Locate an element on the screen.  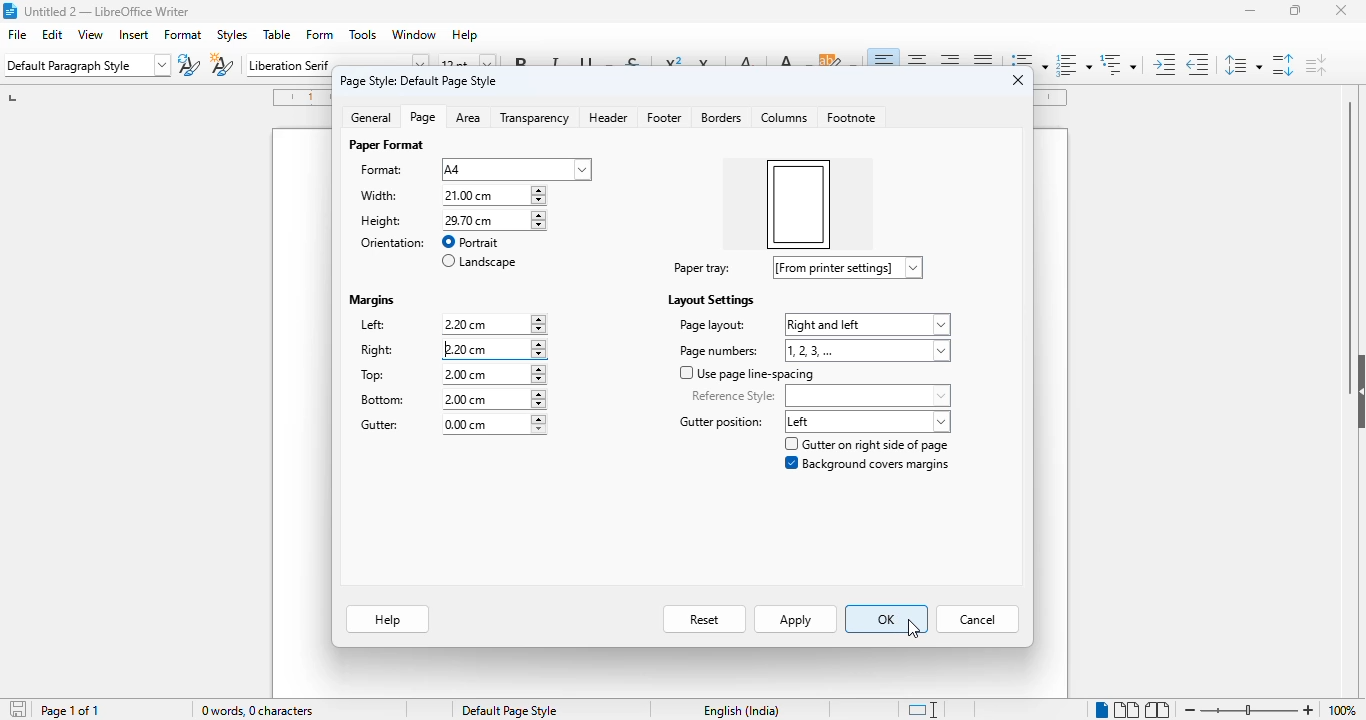
page is located at coordinates (424, 117).